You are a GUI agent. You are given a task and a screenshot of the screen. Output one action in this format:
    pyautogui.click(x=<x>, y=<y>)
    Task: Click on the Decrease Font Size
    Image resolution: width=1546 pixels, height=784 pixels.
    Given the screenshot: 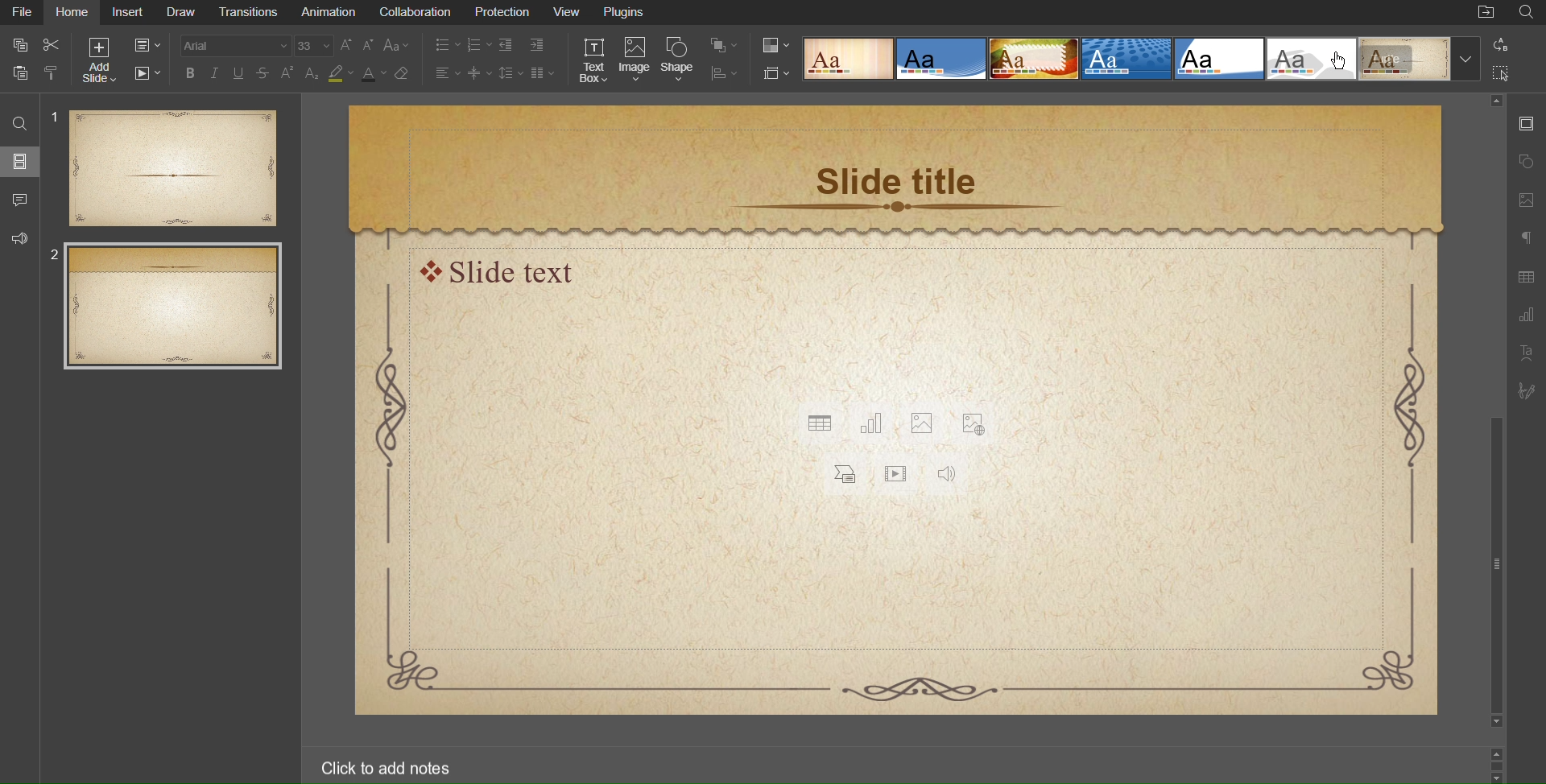 What is the action you would take?
    pyautogui.click(x=370, y=47)
    